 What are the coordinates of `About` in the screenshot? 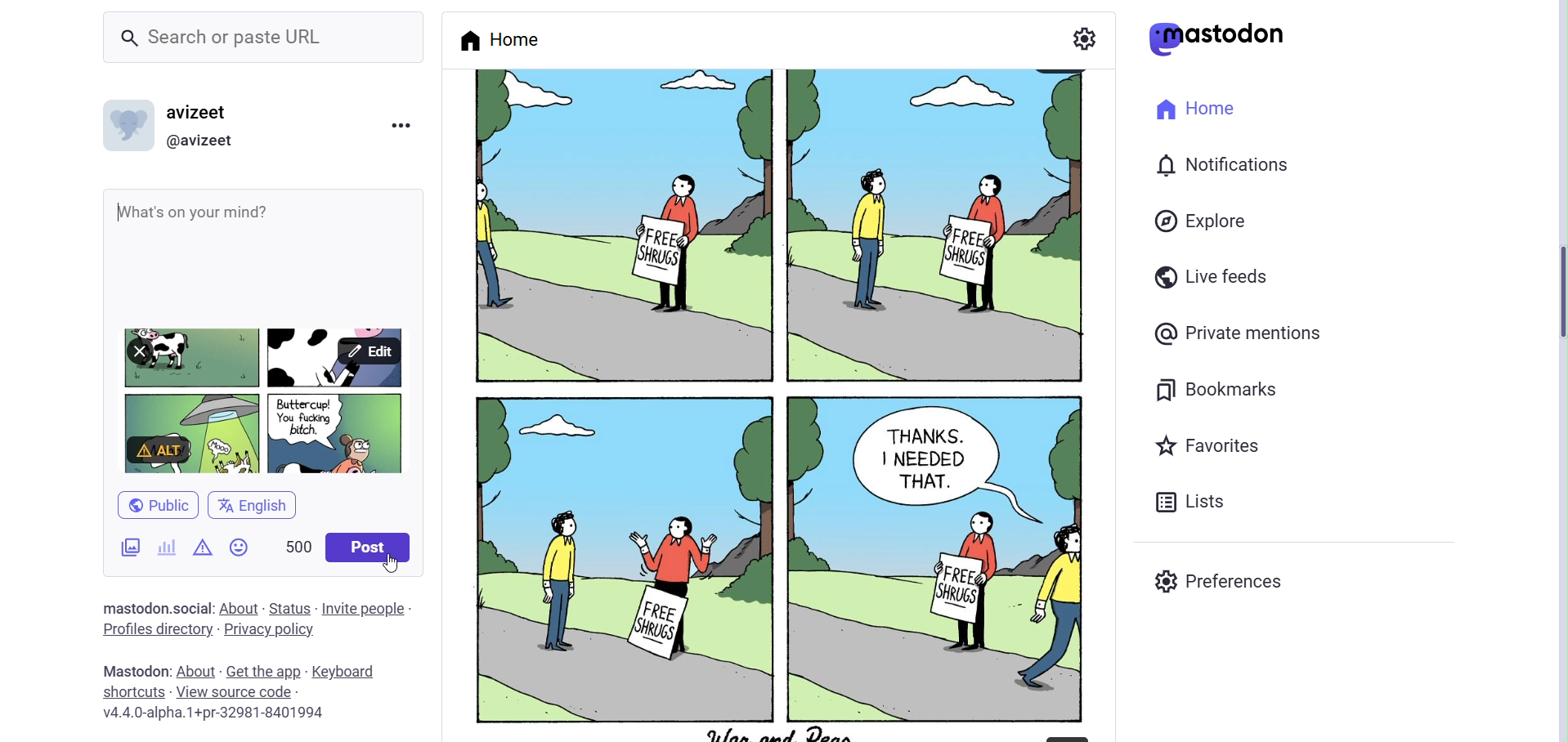 It's located at (241, 606).